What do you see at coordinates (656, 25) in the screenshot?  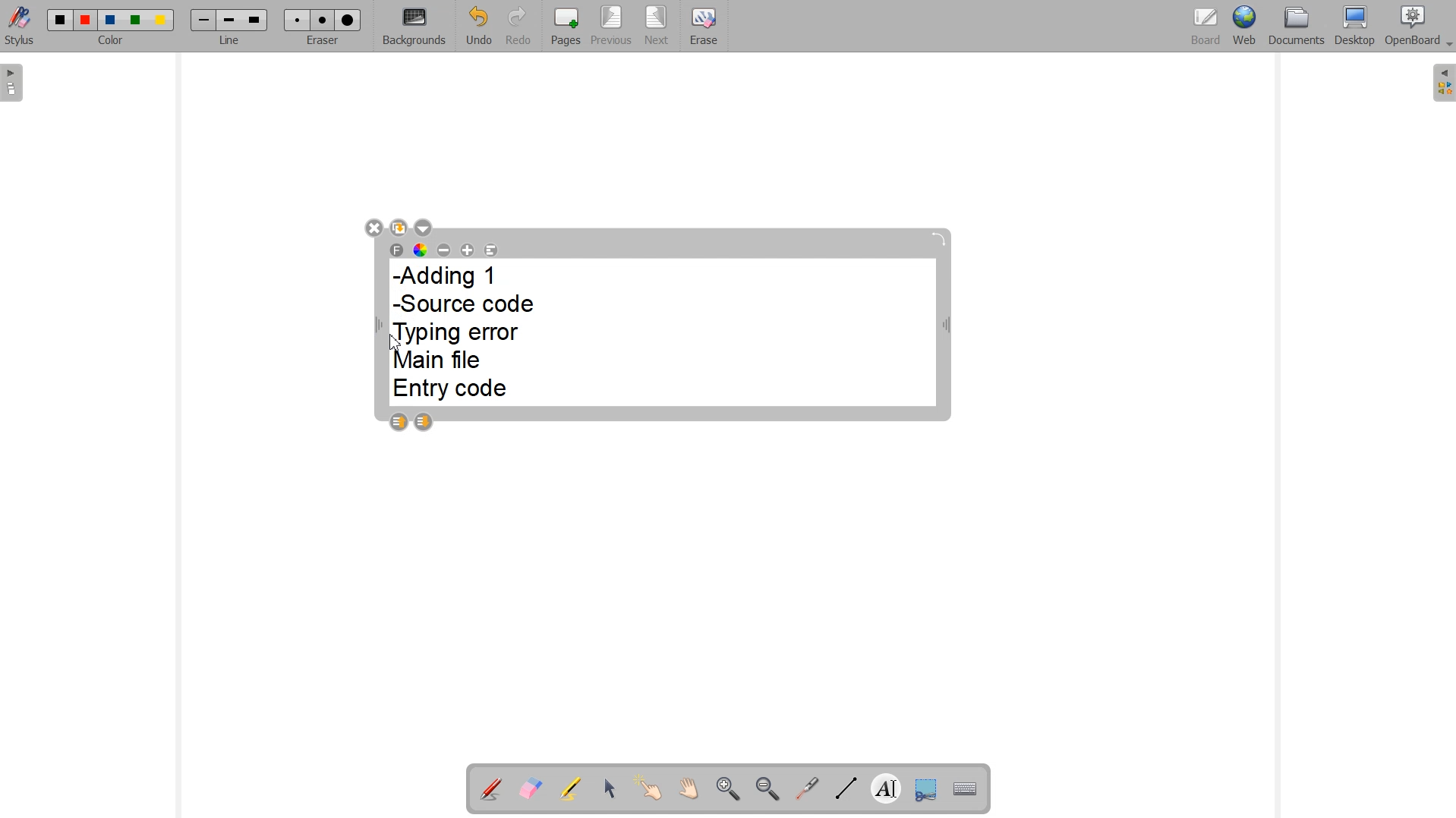 I see `Next` at bounding box center [656, 25].